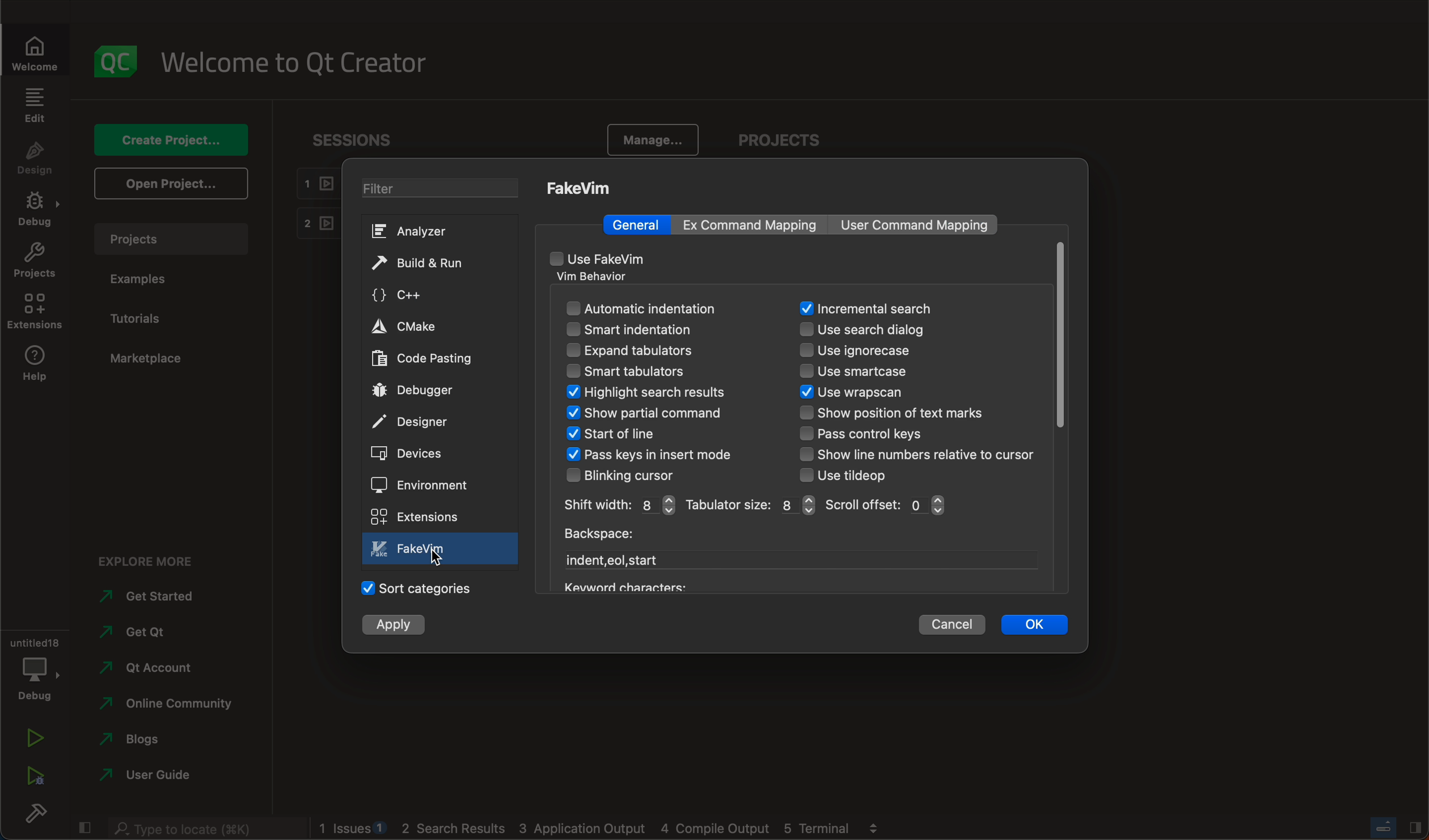 This screenshot has width=1429, height=840. What do you see at coordinates (37, 207) in the screenshot?
I see `debug` at bounding box center [37, 207].